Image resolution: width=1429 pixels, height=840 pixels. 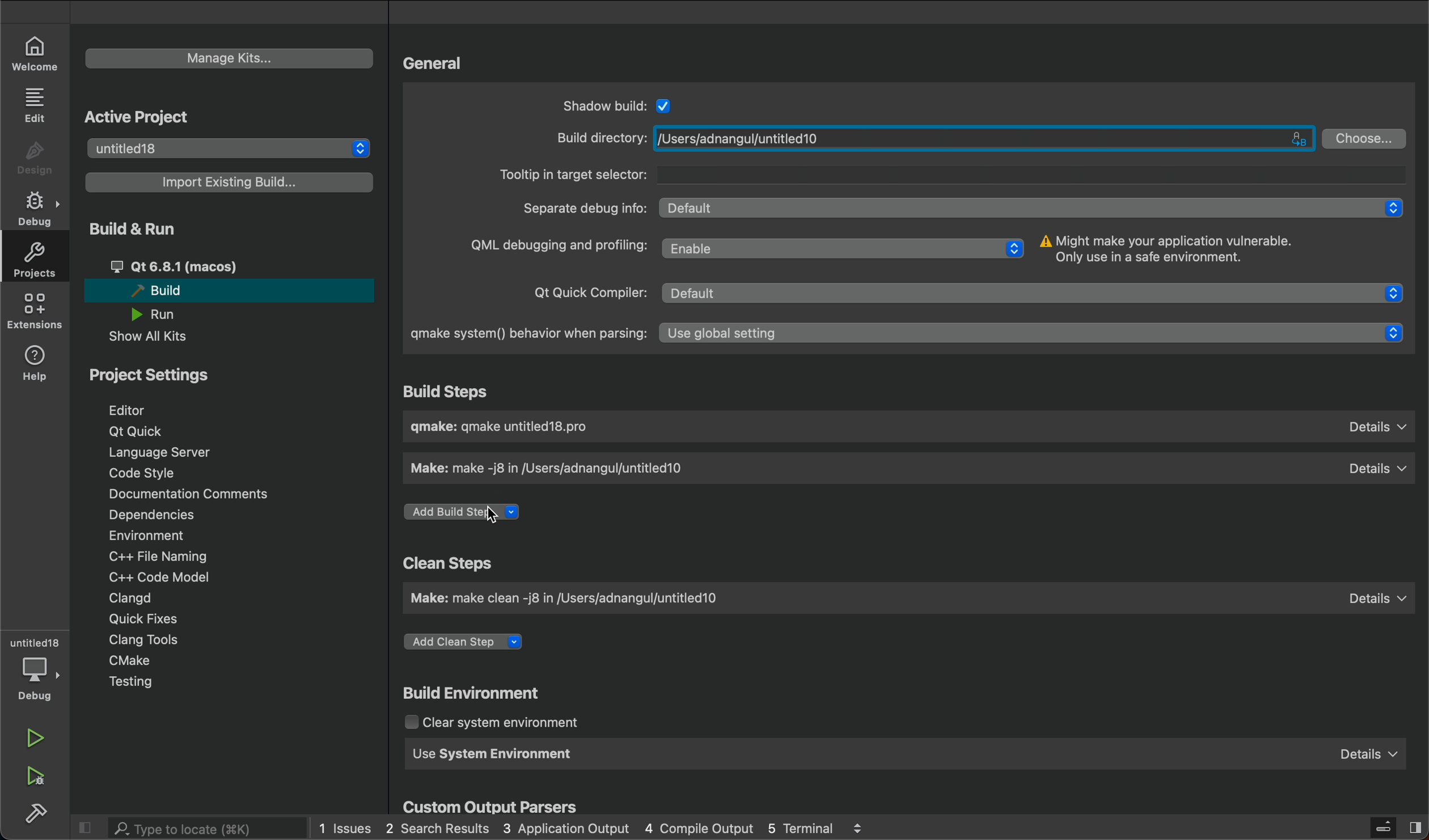 I want to click on run, so click(x=33, y=741).